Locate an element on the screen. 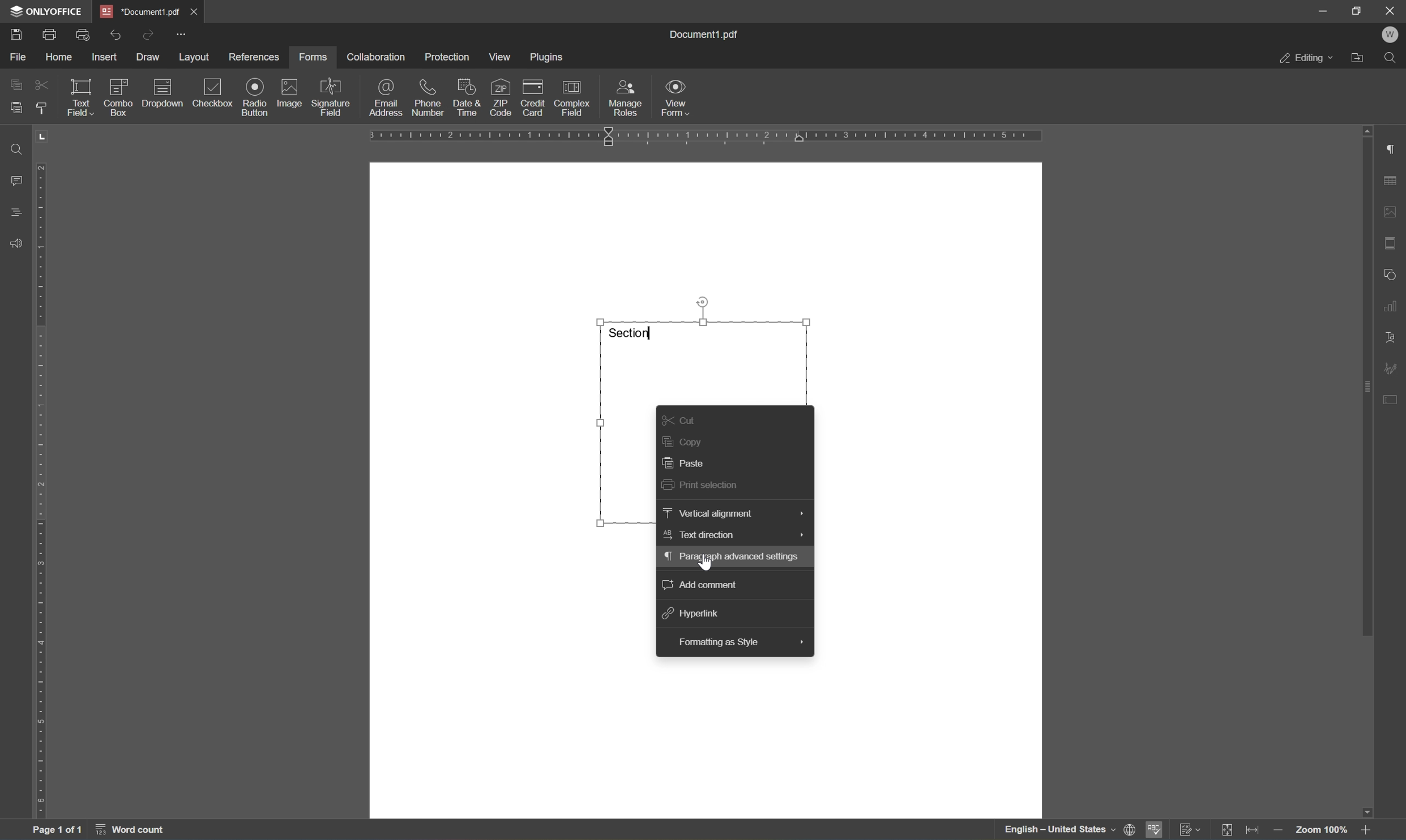 This screenshot has width=1406, height=840. document.pdf is located at coordinates (710, 34).